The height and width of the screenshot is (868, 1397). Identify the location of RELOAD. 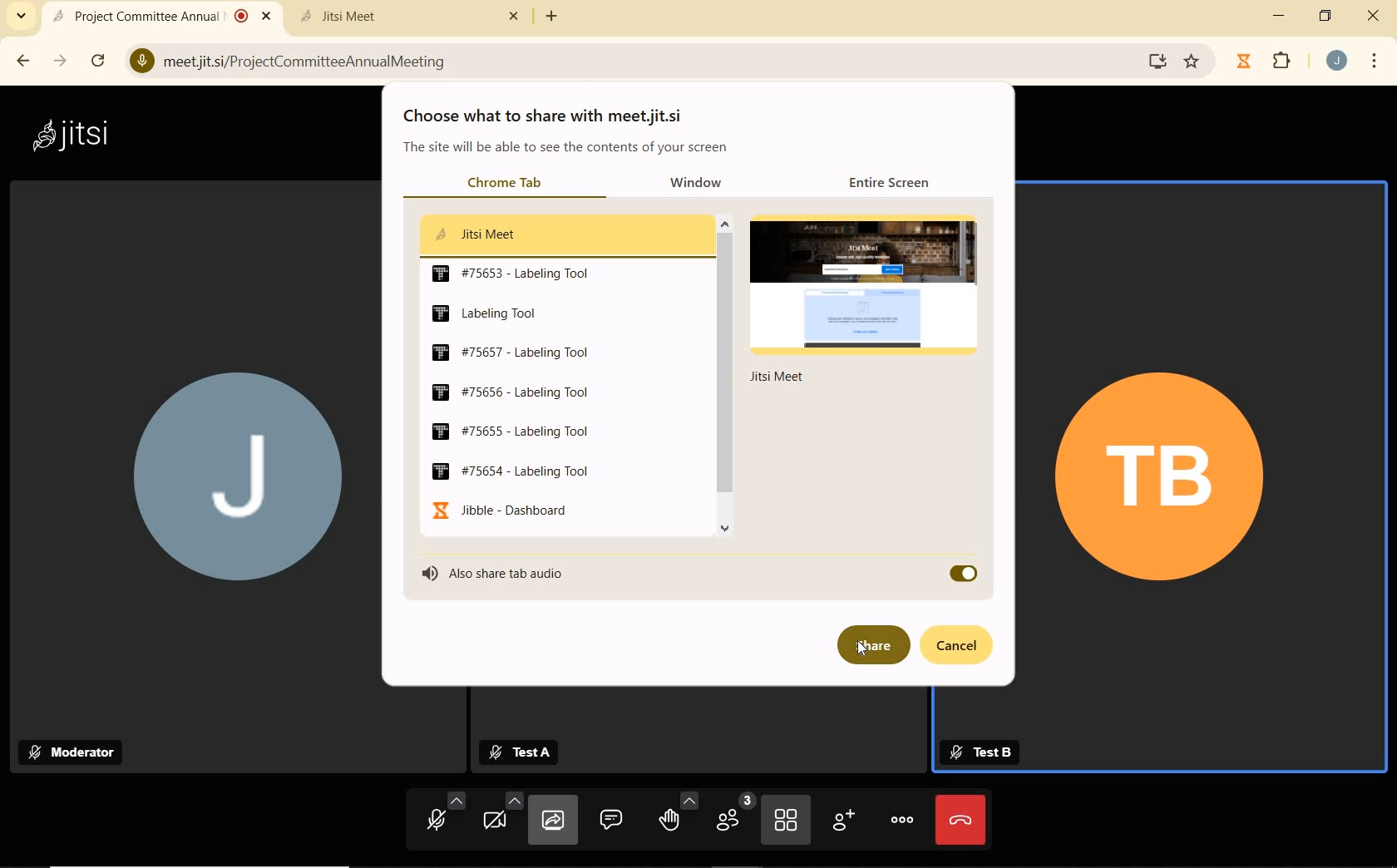
(101, 60).